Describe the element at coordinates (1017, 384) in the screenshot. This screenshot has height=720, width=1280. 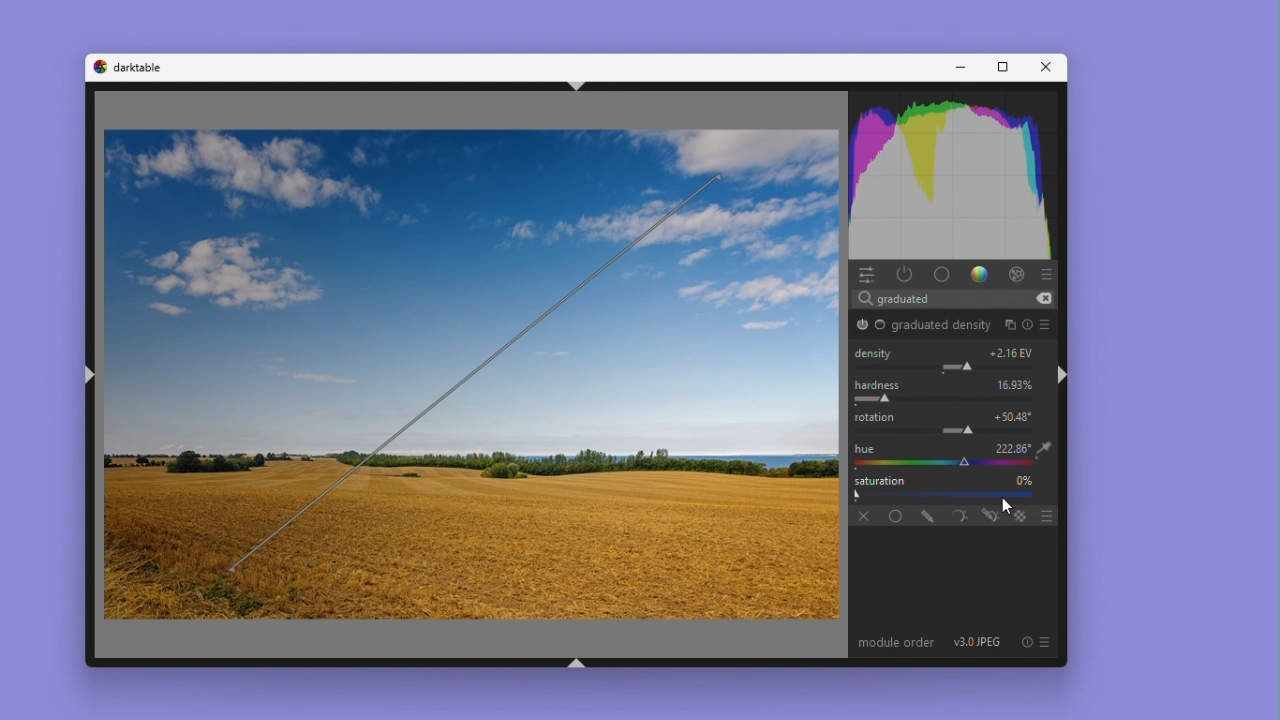
I see `0.00%` at that location.